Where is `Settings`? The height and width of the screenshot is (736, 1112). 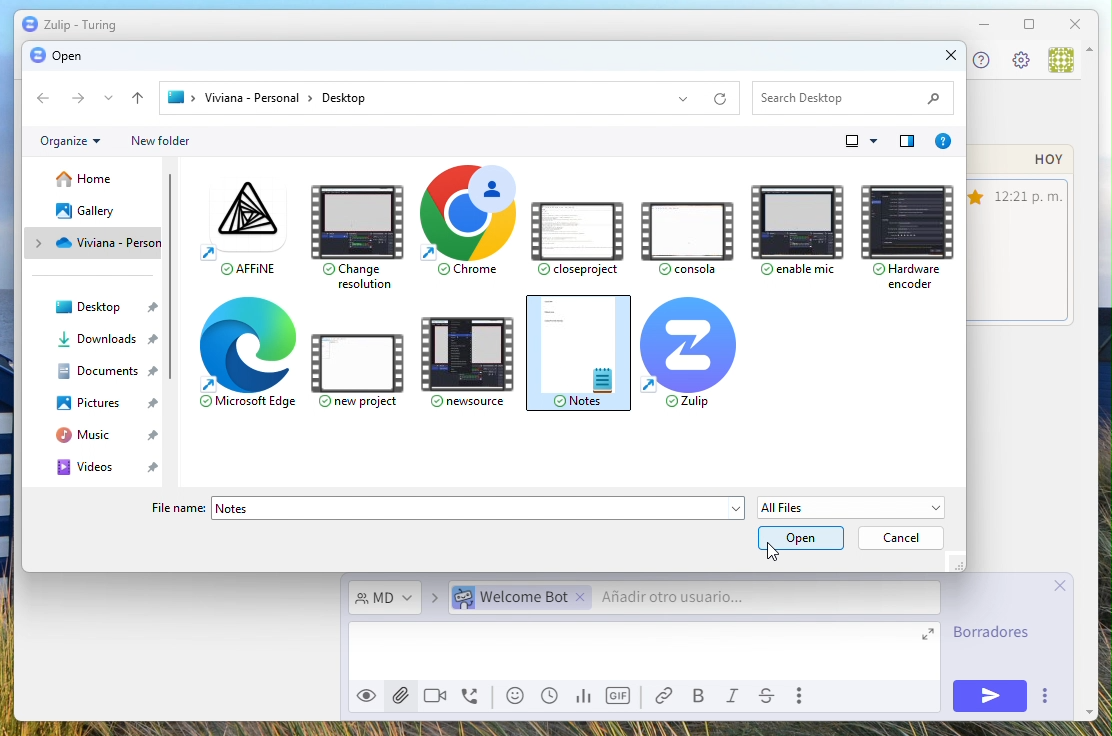
Settings is located at coordinates (1020, 62).